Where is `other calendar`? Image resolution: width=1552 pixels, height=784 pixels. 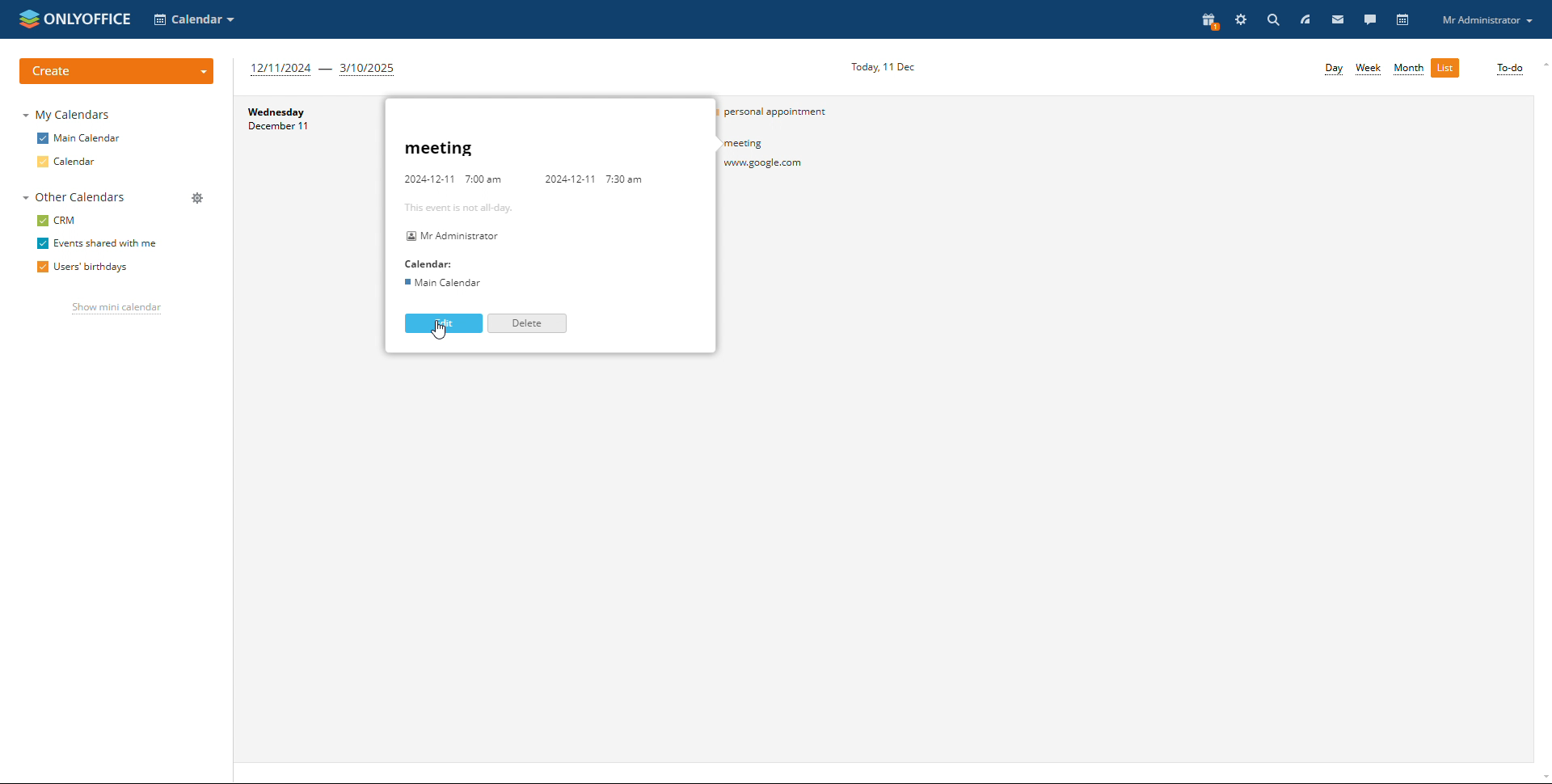 other calendar is located at coordinates (74, 196).